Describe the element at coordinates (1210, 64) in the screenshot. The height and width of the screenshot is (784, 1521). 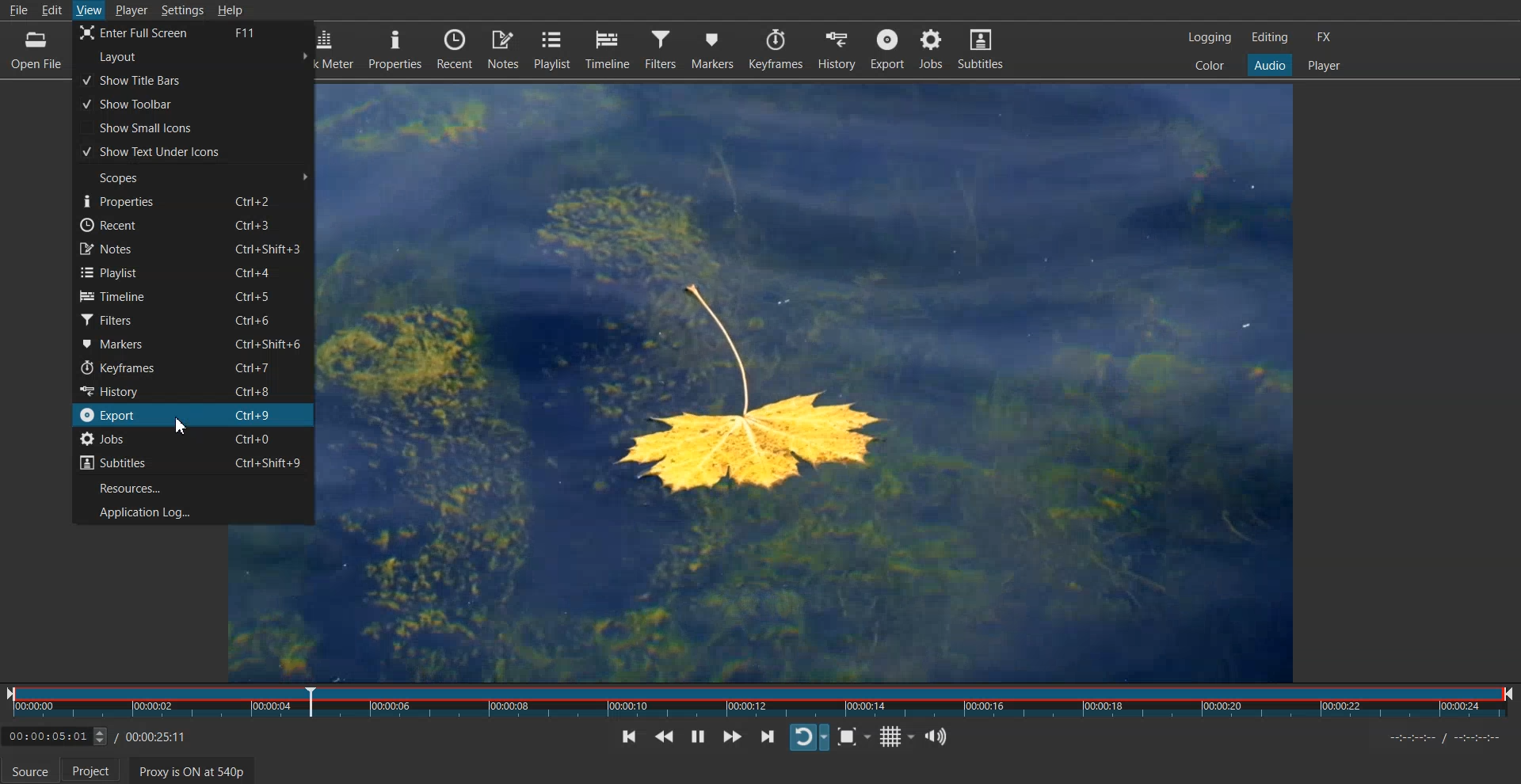
I see `Color` at that location.